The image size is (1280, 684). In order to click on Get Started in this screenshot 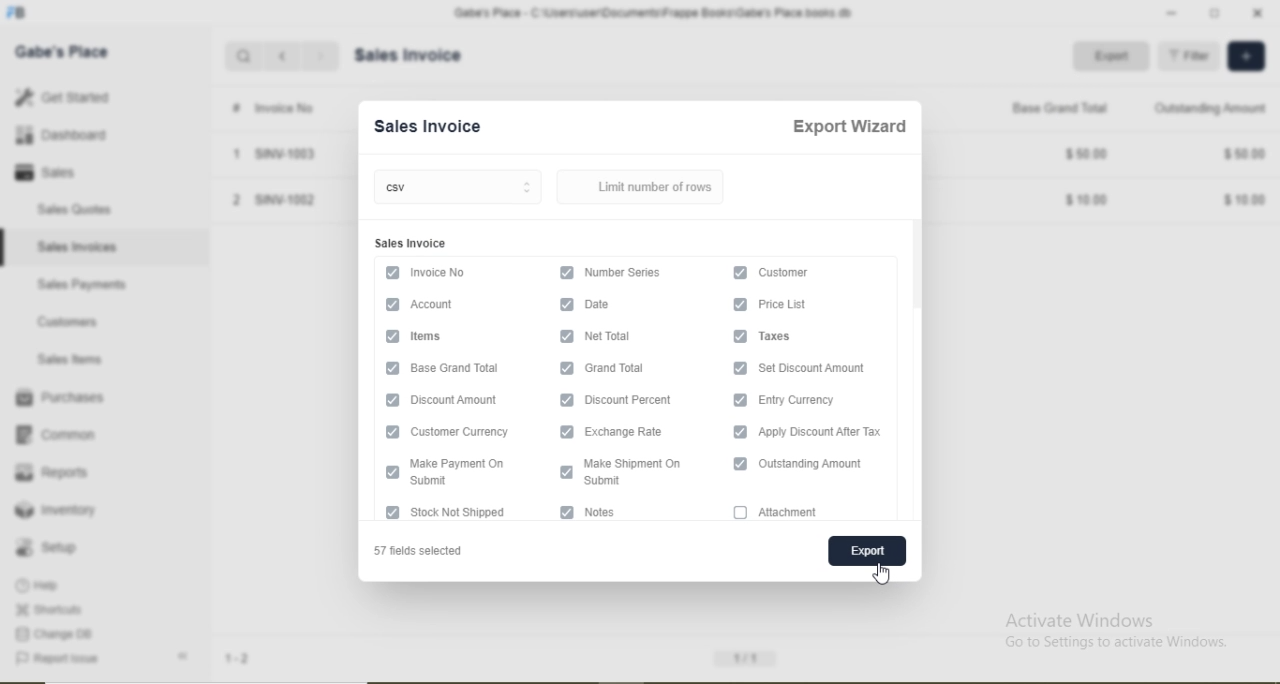, I will do `click(67, 96)`.